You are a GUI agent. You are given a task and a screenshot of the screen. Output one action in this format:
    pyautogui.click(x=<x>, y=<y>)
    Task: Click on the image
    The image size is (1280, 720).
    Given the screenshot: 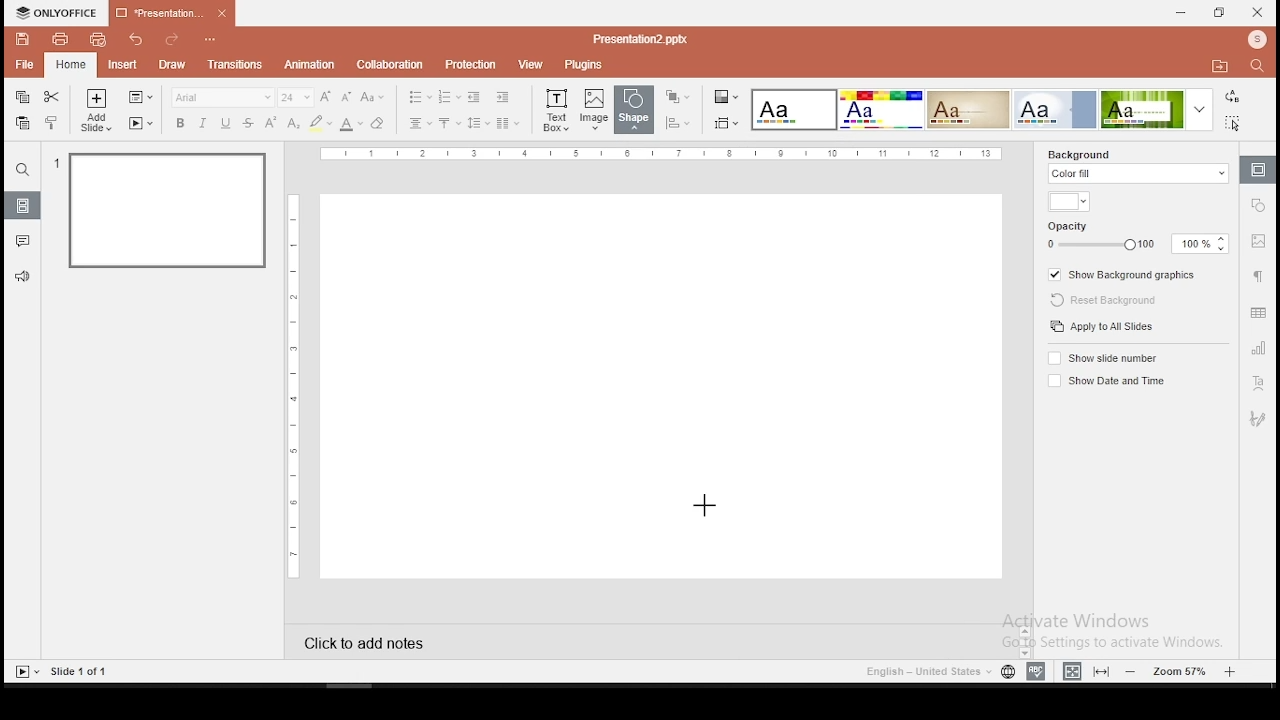 What is the action you would take?
    pyautogui.click(x=595, y=109)
    